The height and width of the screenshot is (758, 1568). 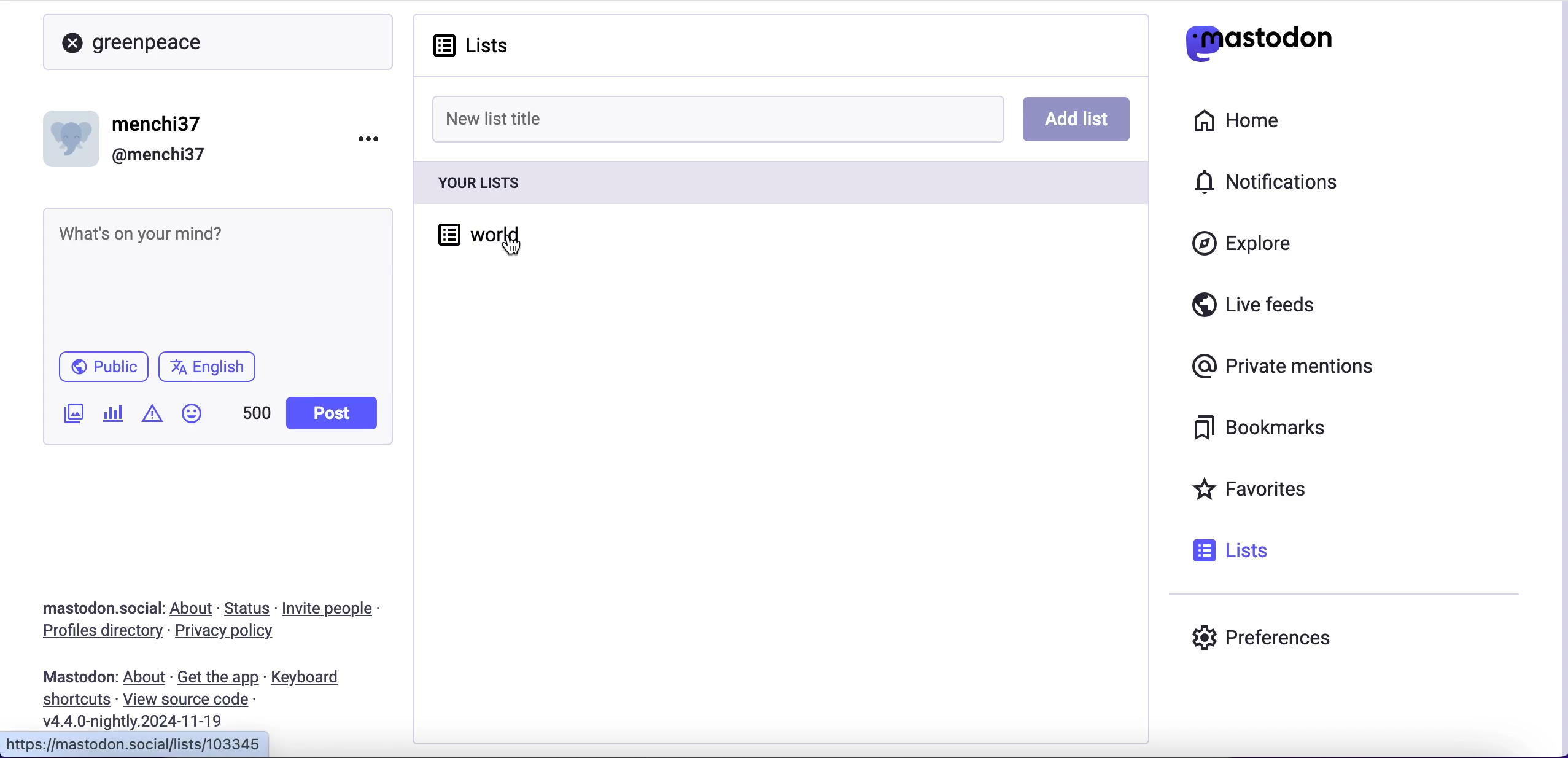 What do you see at coordinates (79, 677) in the screenshot?
I see `mastodon` at bounding box center [79, 677].